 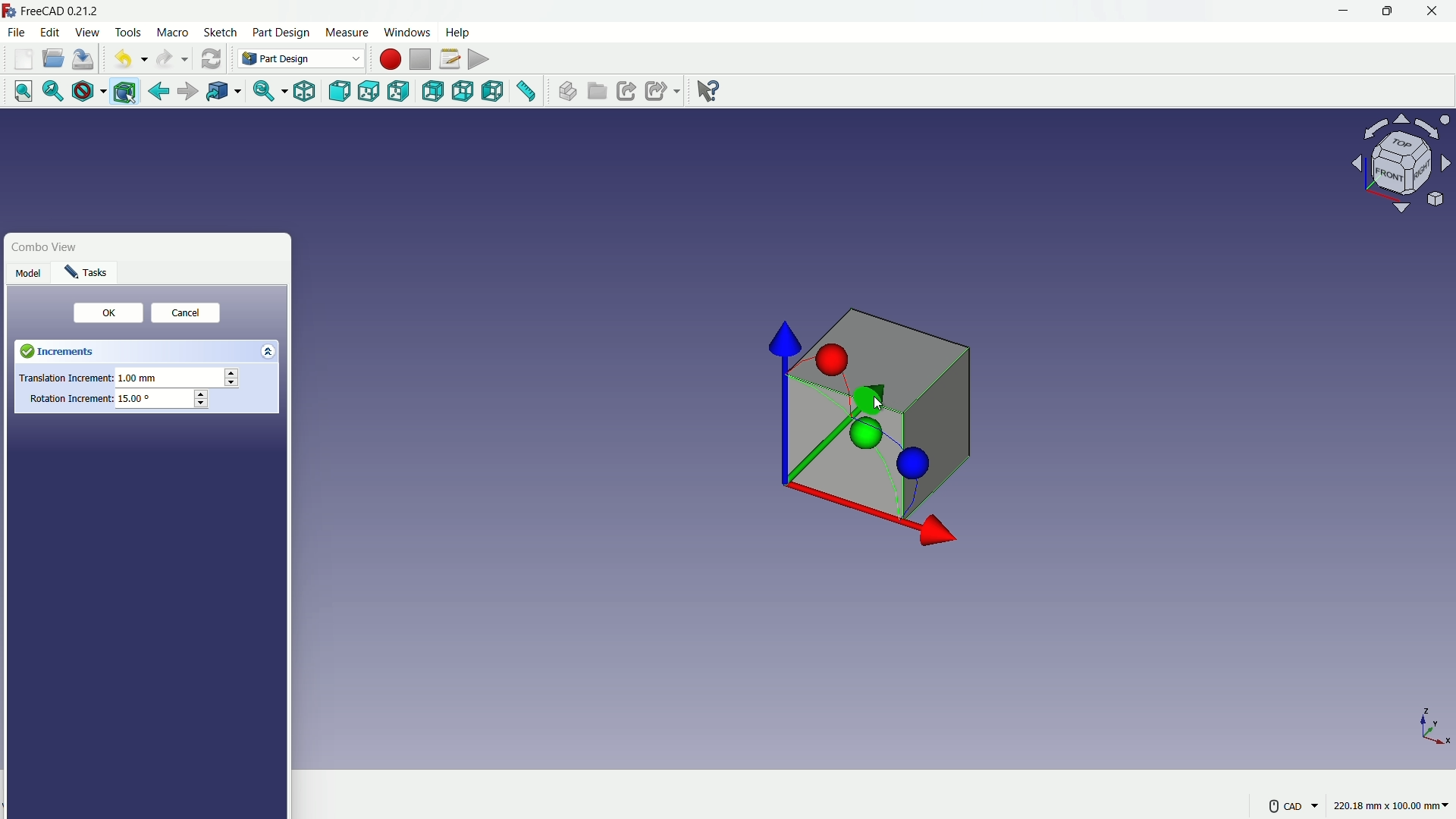 I want to click on Translation Increment:, so click(x=64, y=380).